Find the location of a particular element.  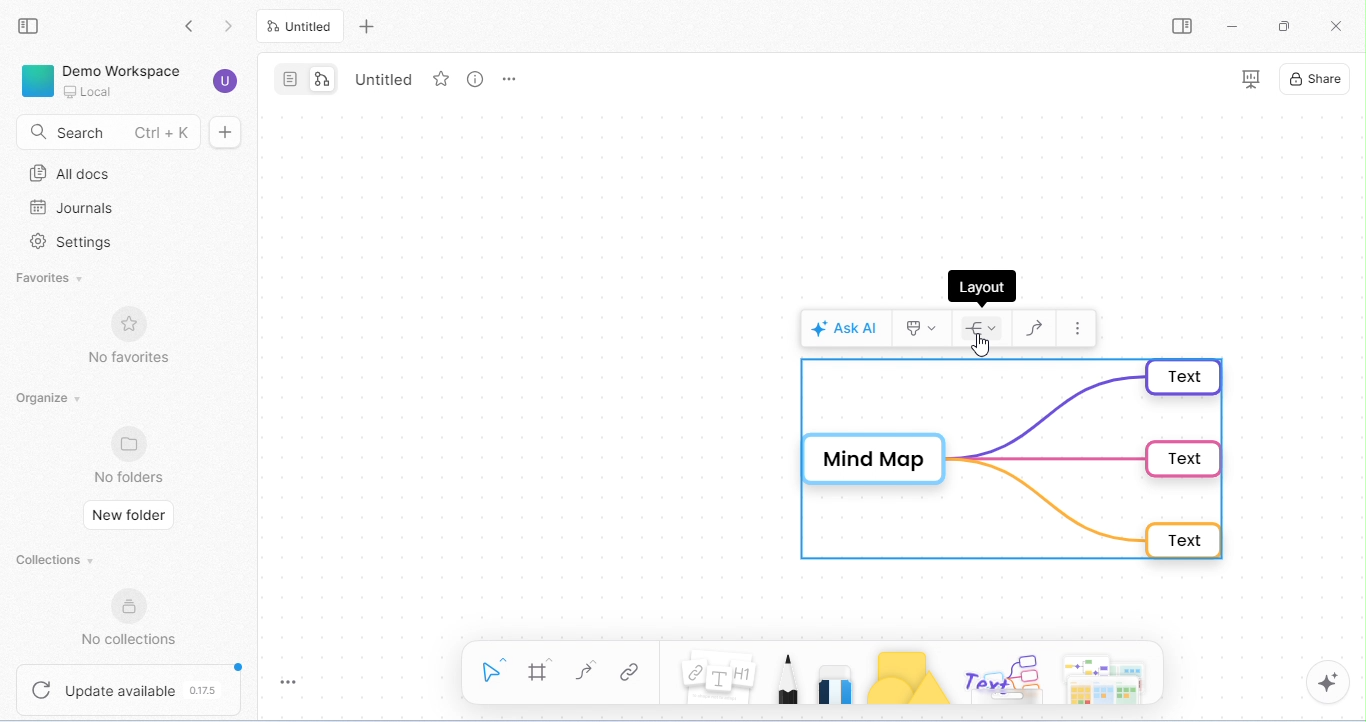

toggle zoom is located at coordinates (296, 683).